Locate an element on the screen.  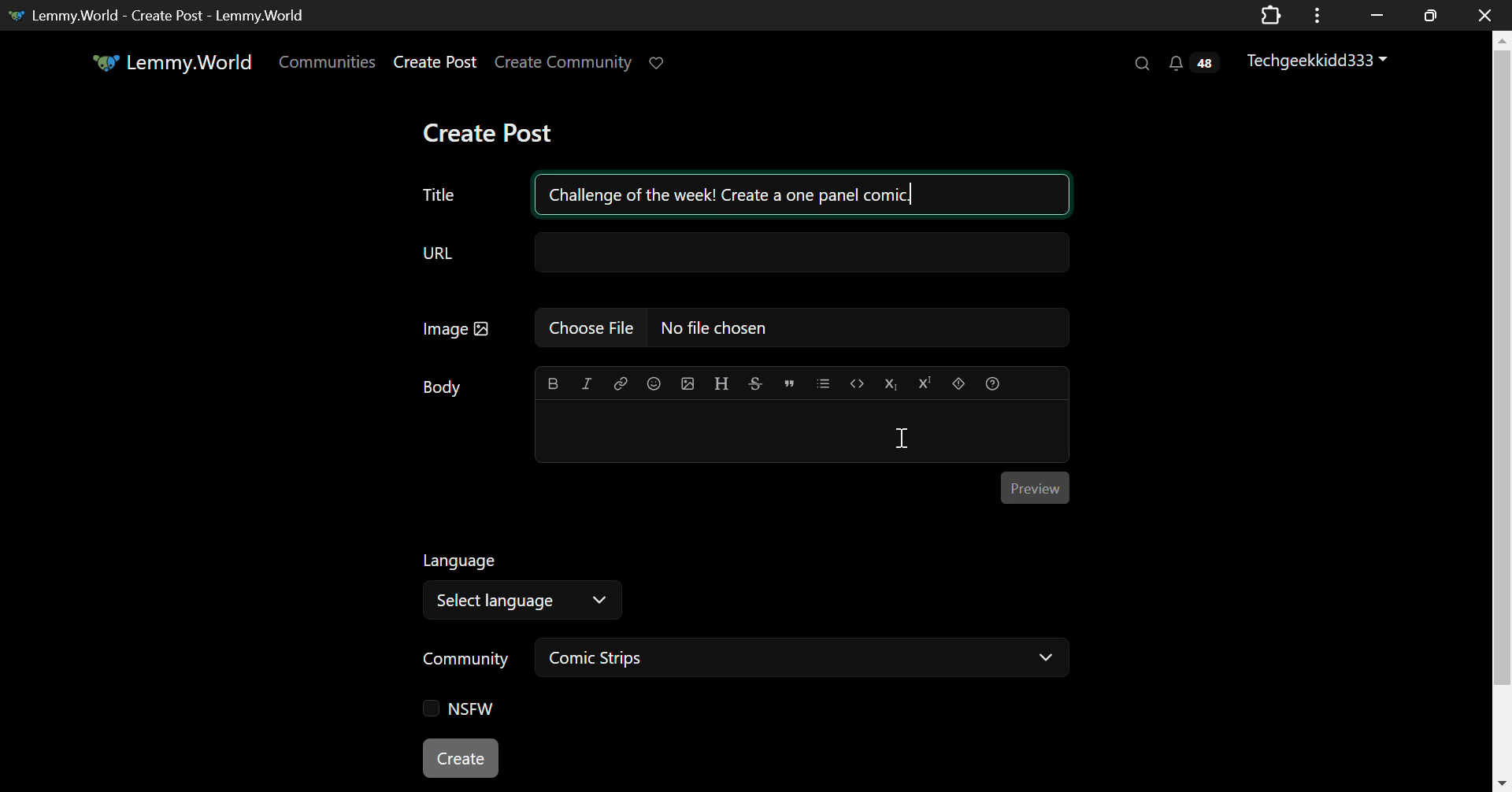
strikethrough is located at coordinates (755, 384).